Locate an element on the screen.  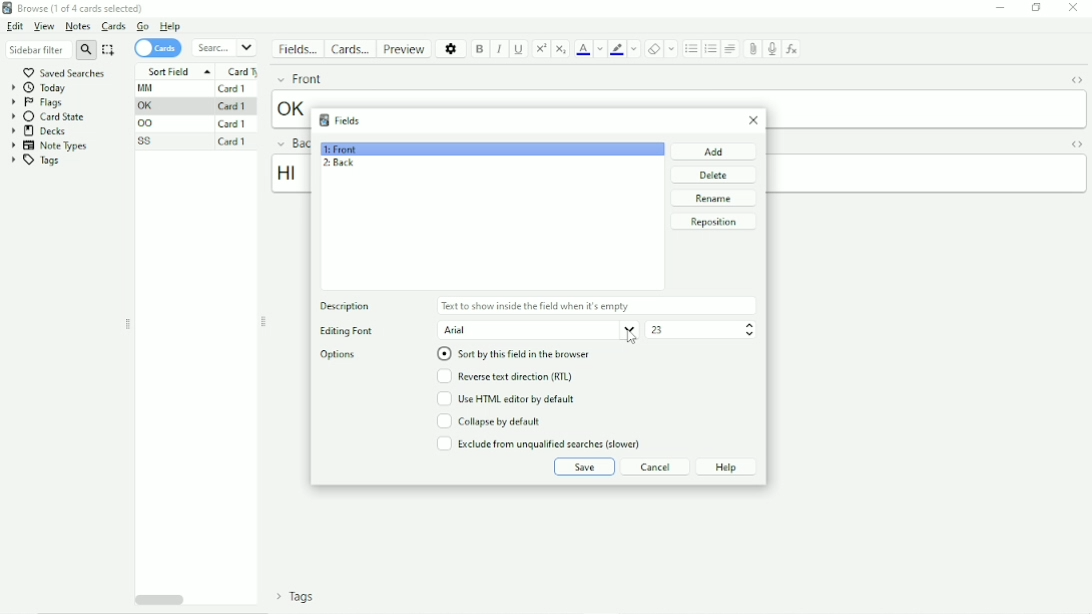
Search is located at coordinates (225, 47).